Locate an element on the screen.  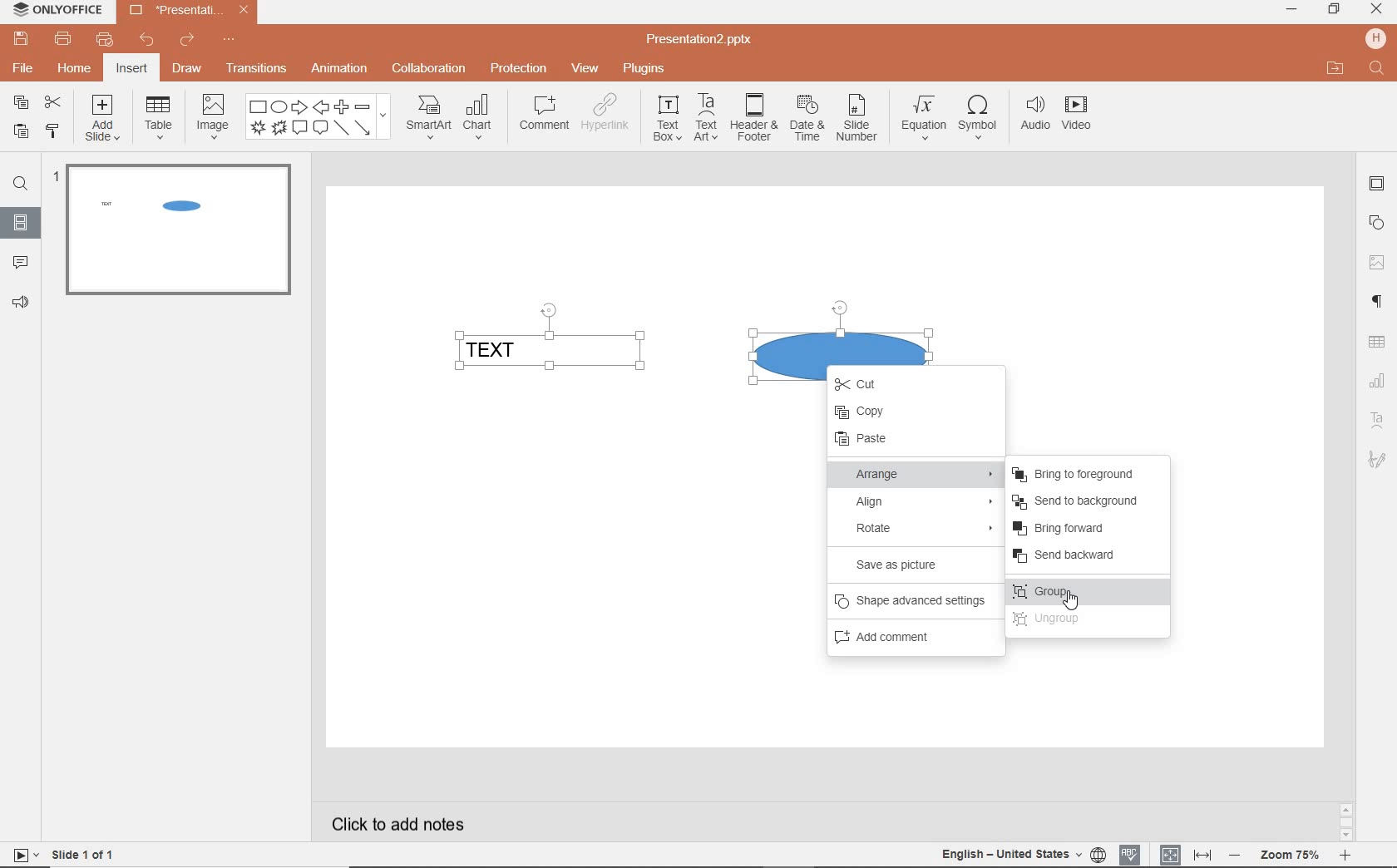
insert is located at coordinates (133, 69).